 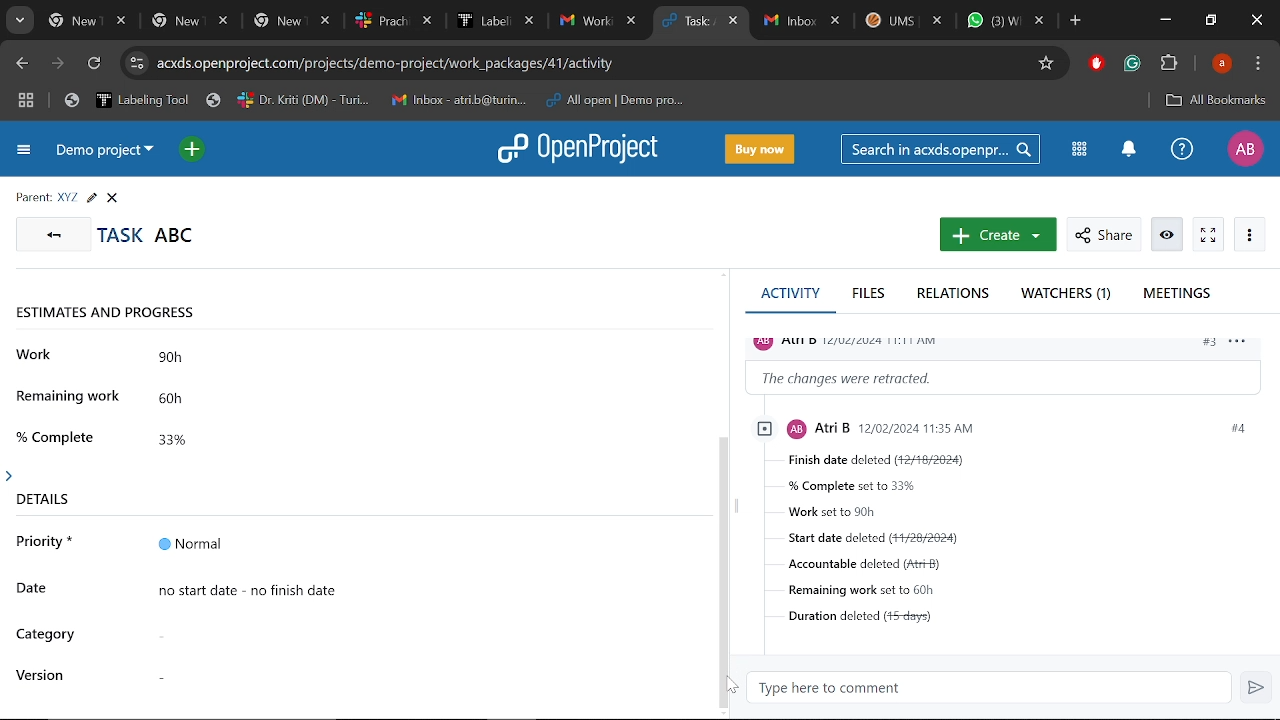 I want to click on Next page, so click(x=60, y=65).